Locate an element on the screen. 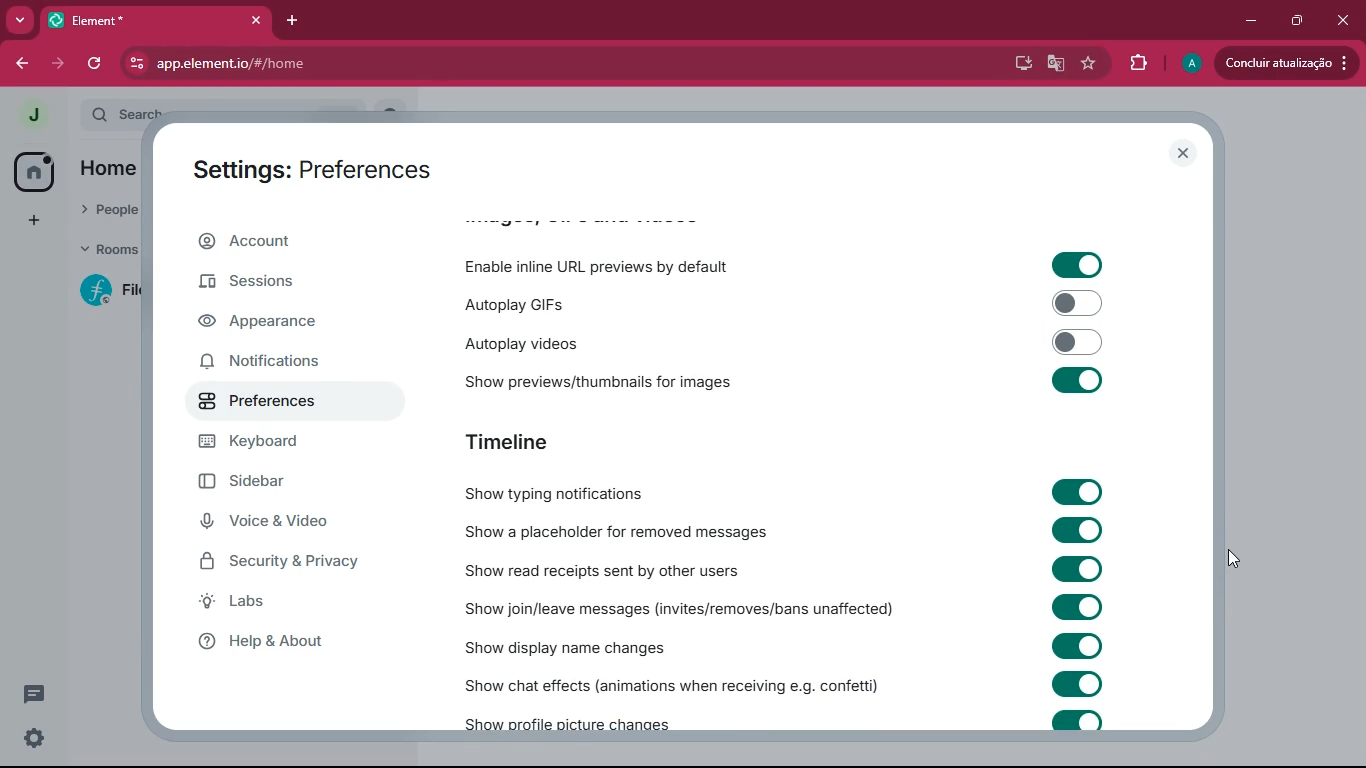  minimize is located at coordinates (1252, 20).